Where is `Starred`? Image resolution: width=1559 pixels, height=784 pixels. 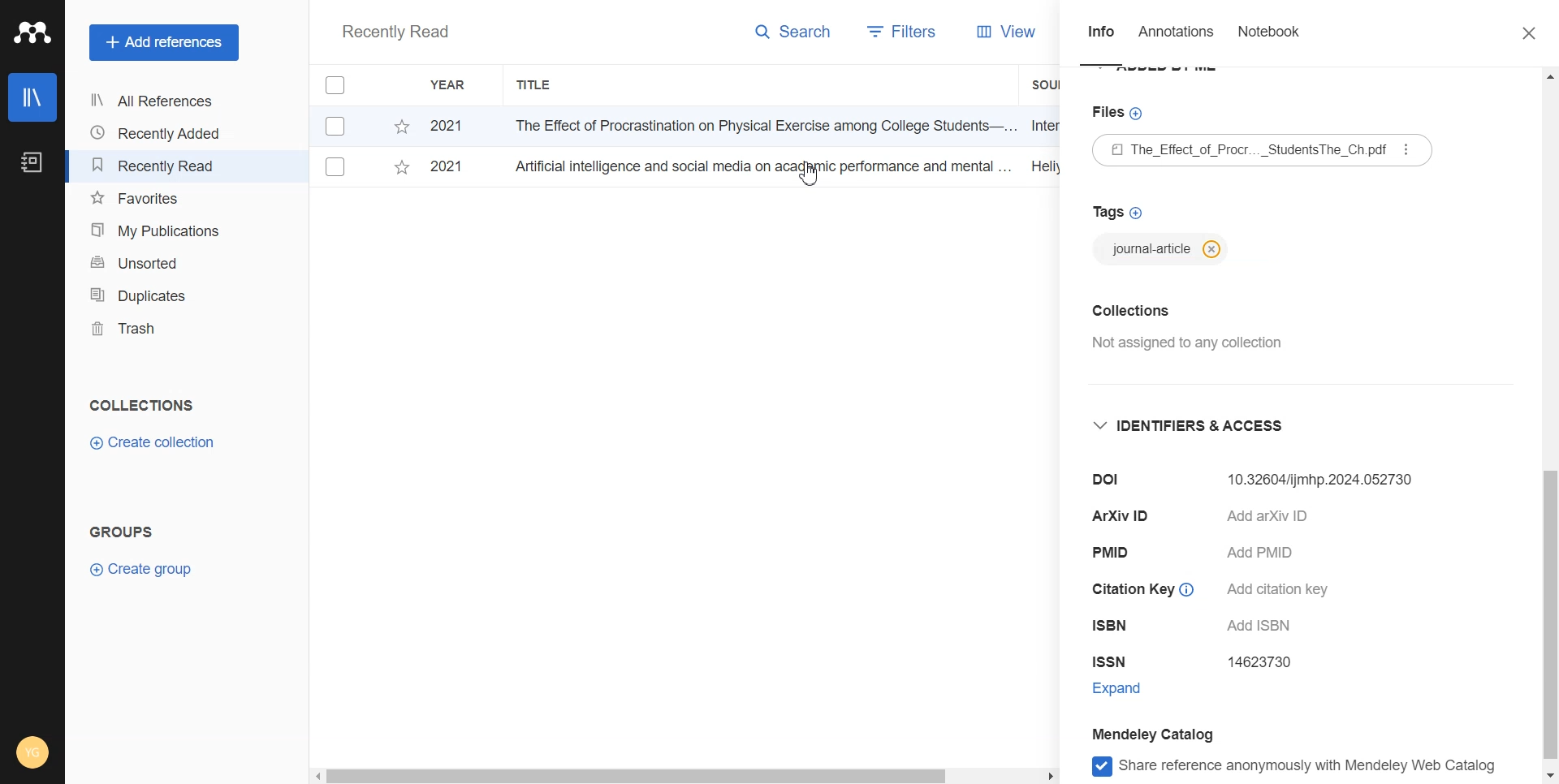
Starred is located at coordinates (401, 127).